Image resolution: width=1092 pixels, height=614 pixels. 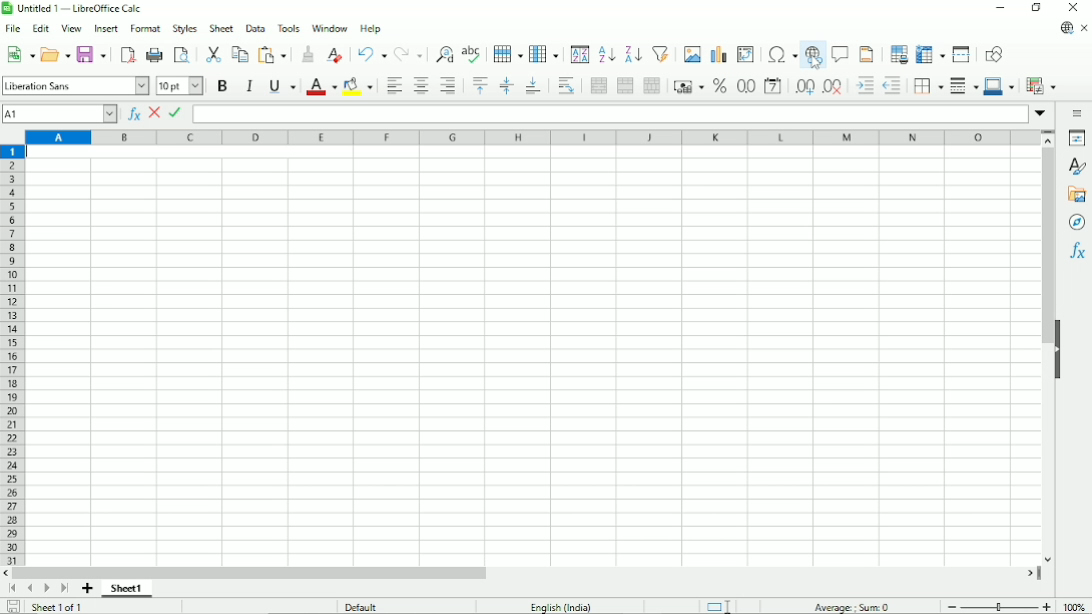 What do you see at coordinates (92, 53) in the screenshot?
I see `Save` at bounding box center [92, 53].